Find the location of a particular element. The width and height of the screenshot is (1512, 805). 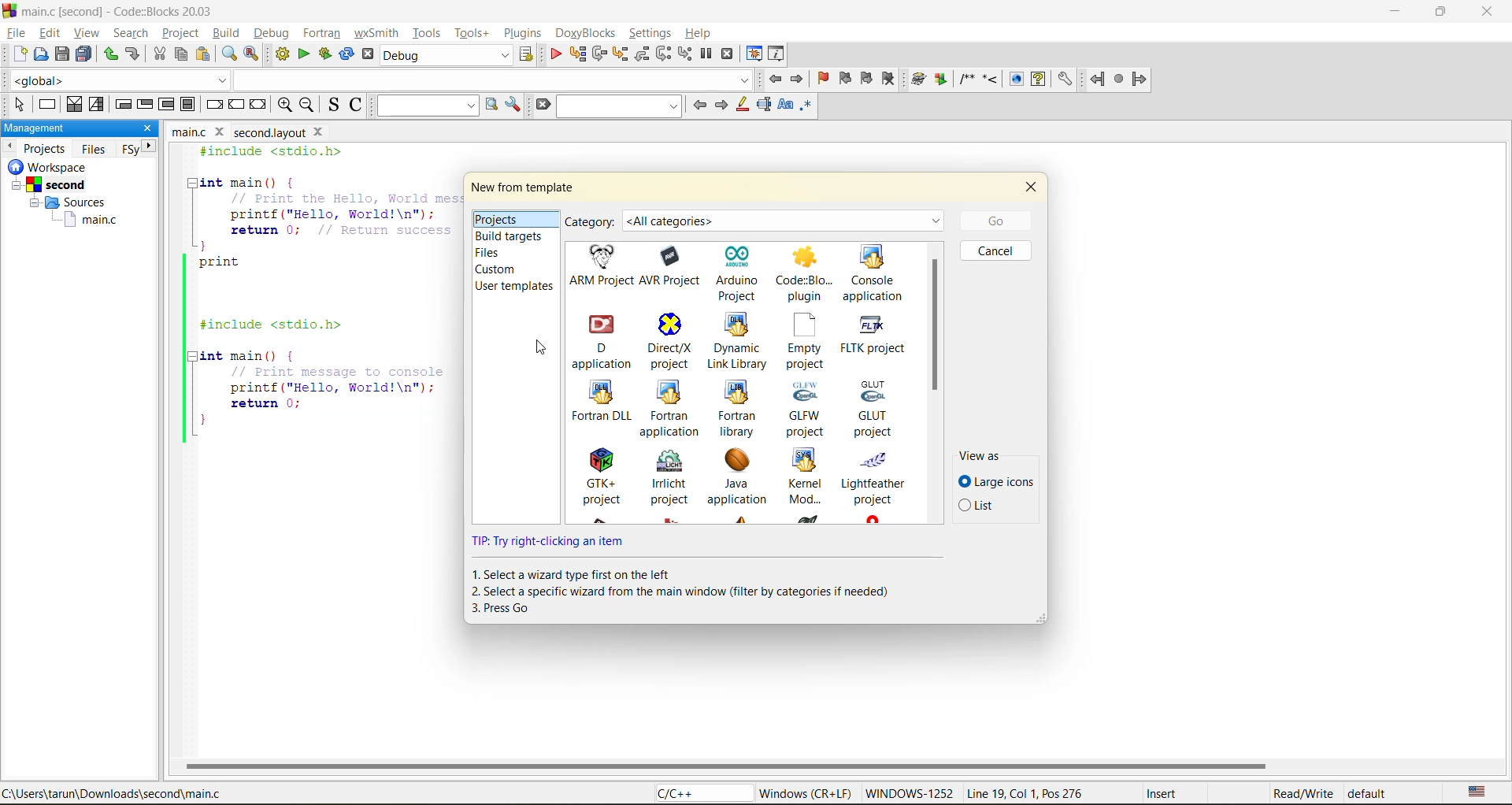

workspace is located at coordinates (66, 199).